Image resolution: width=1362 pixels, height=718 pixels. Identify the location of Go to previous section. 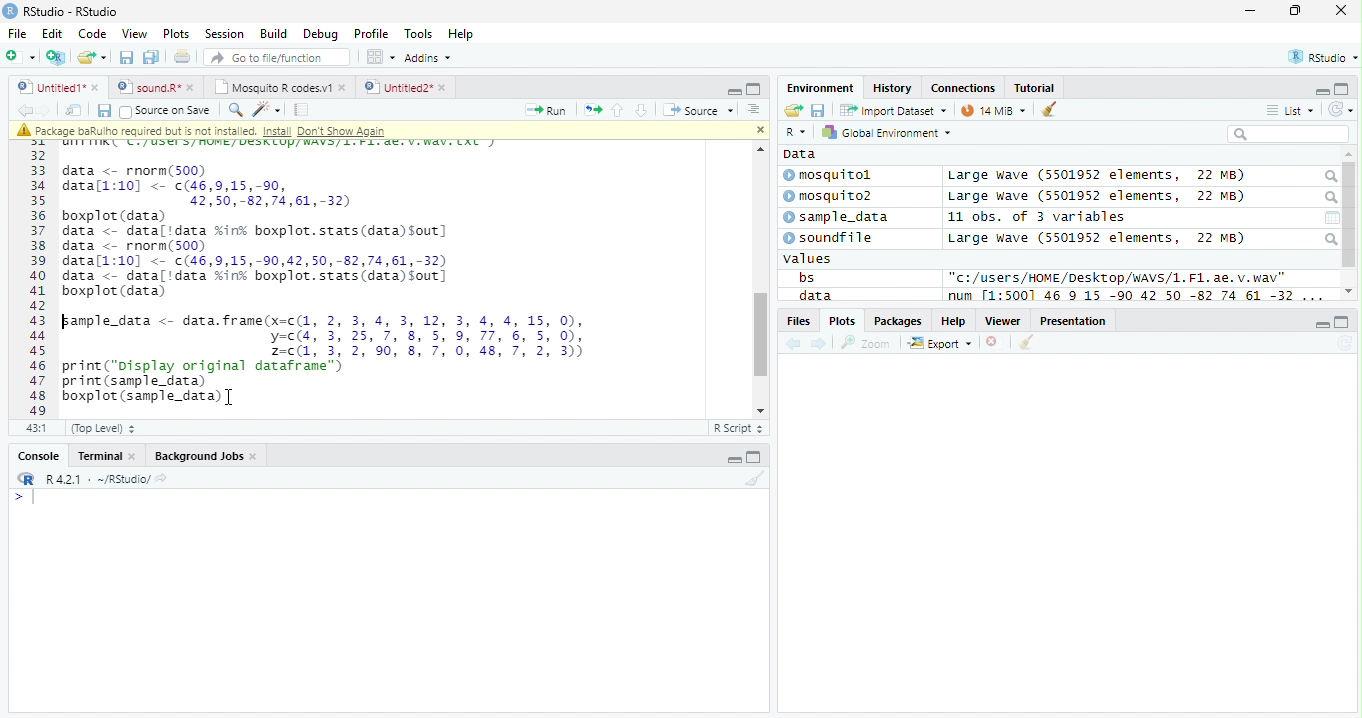
(616, 110).